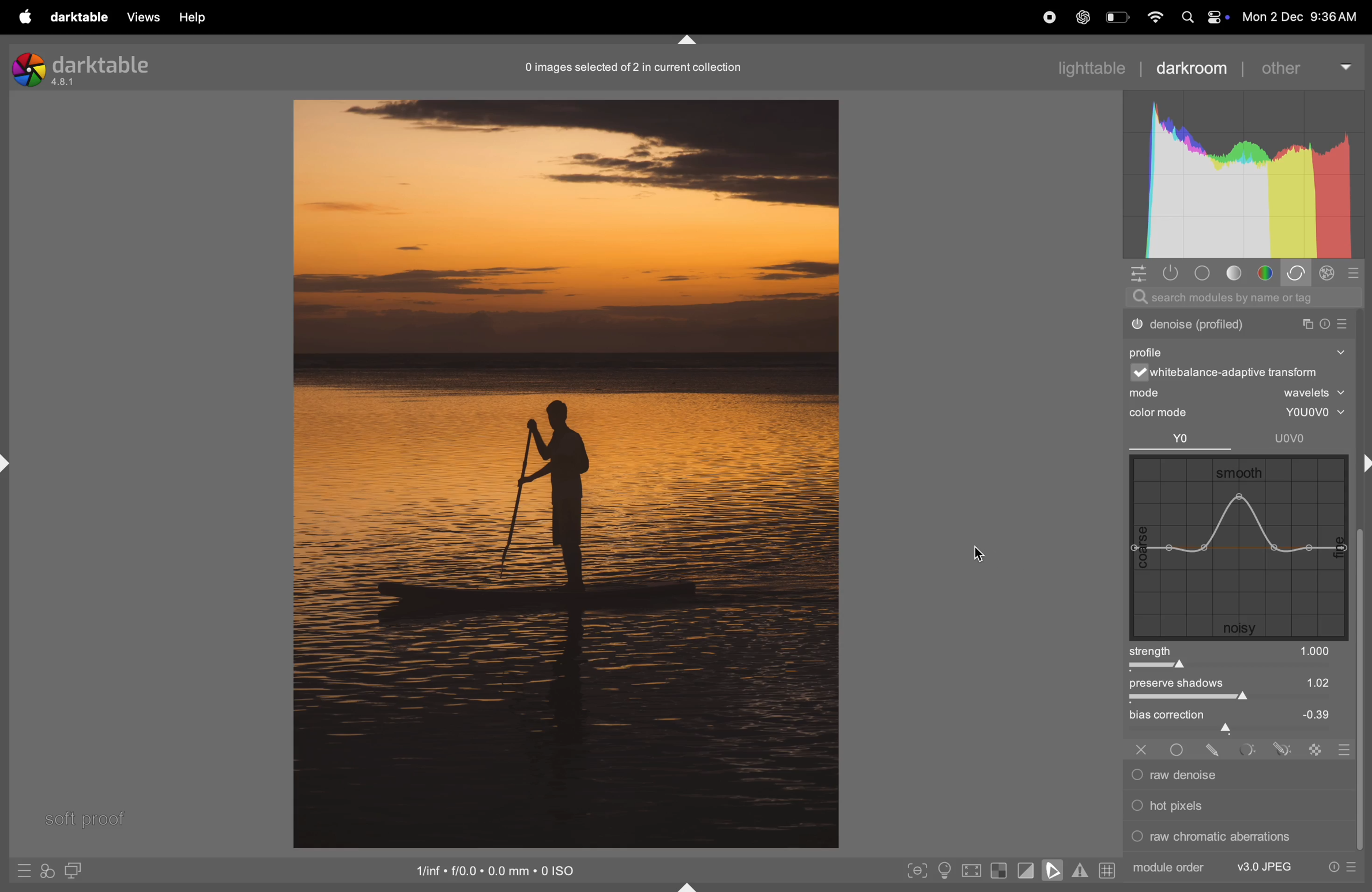 The width and height of the screenshot is (1372, 892). Describe the element at coordinates (1106, 872) in the screenshot. I see `grid` at that location.